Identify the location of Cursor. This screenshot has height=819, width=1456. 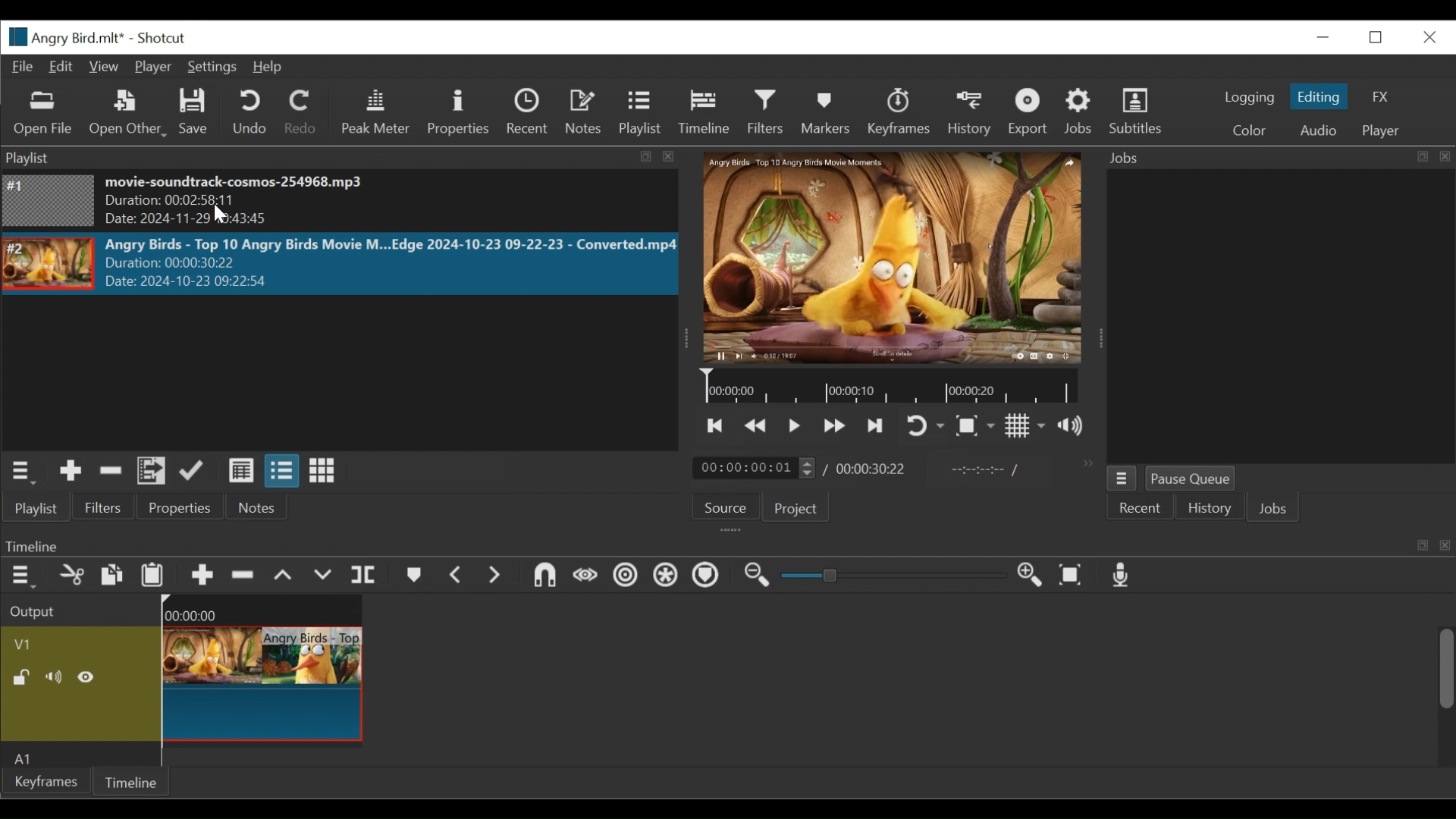
(220, 214).